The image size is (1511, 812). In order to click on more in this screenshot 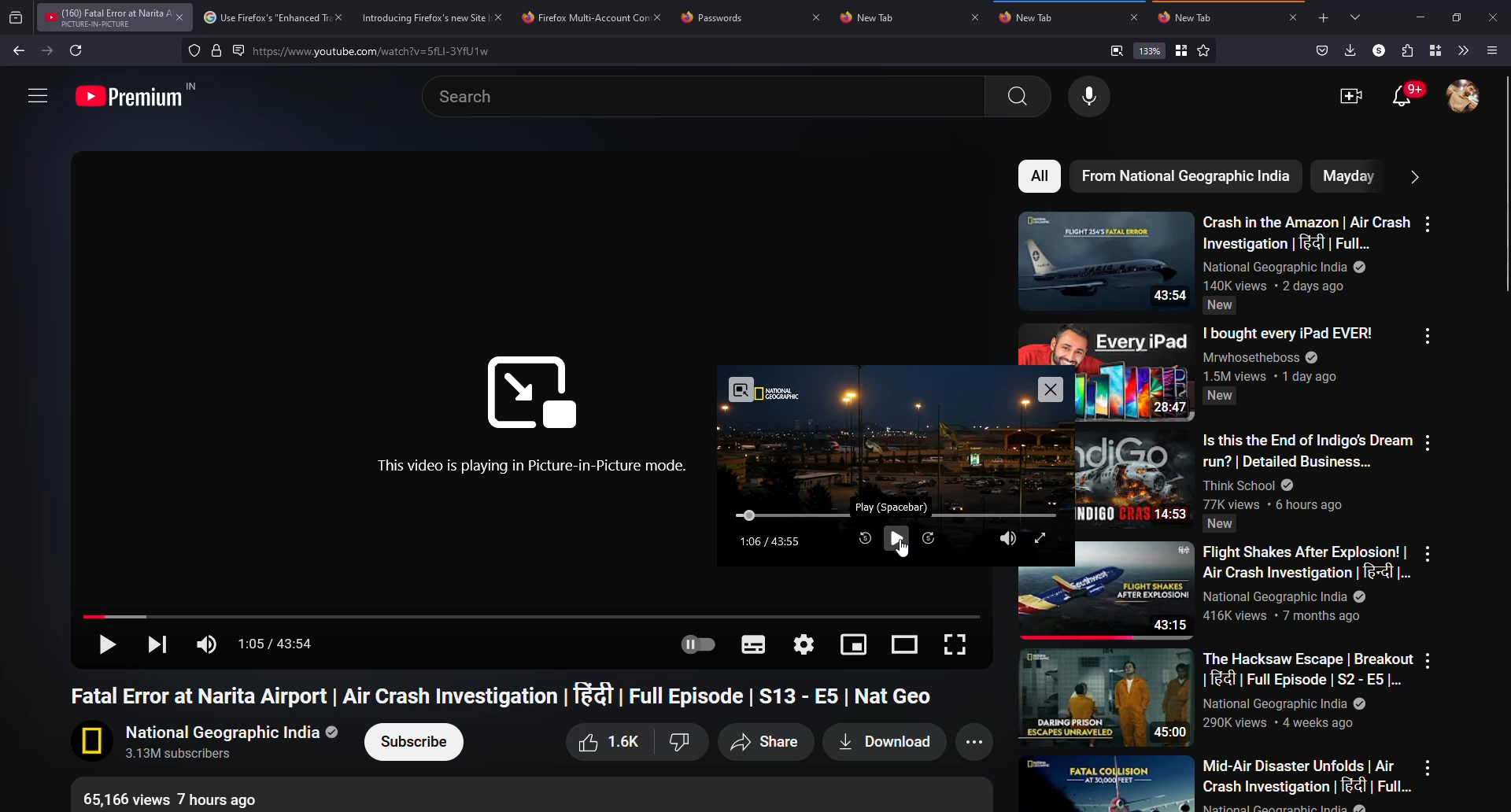, I will do `click(1428, 660)`.